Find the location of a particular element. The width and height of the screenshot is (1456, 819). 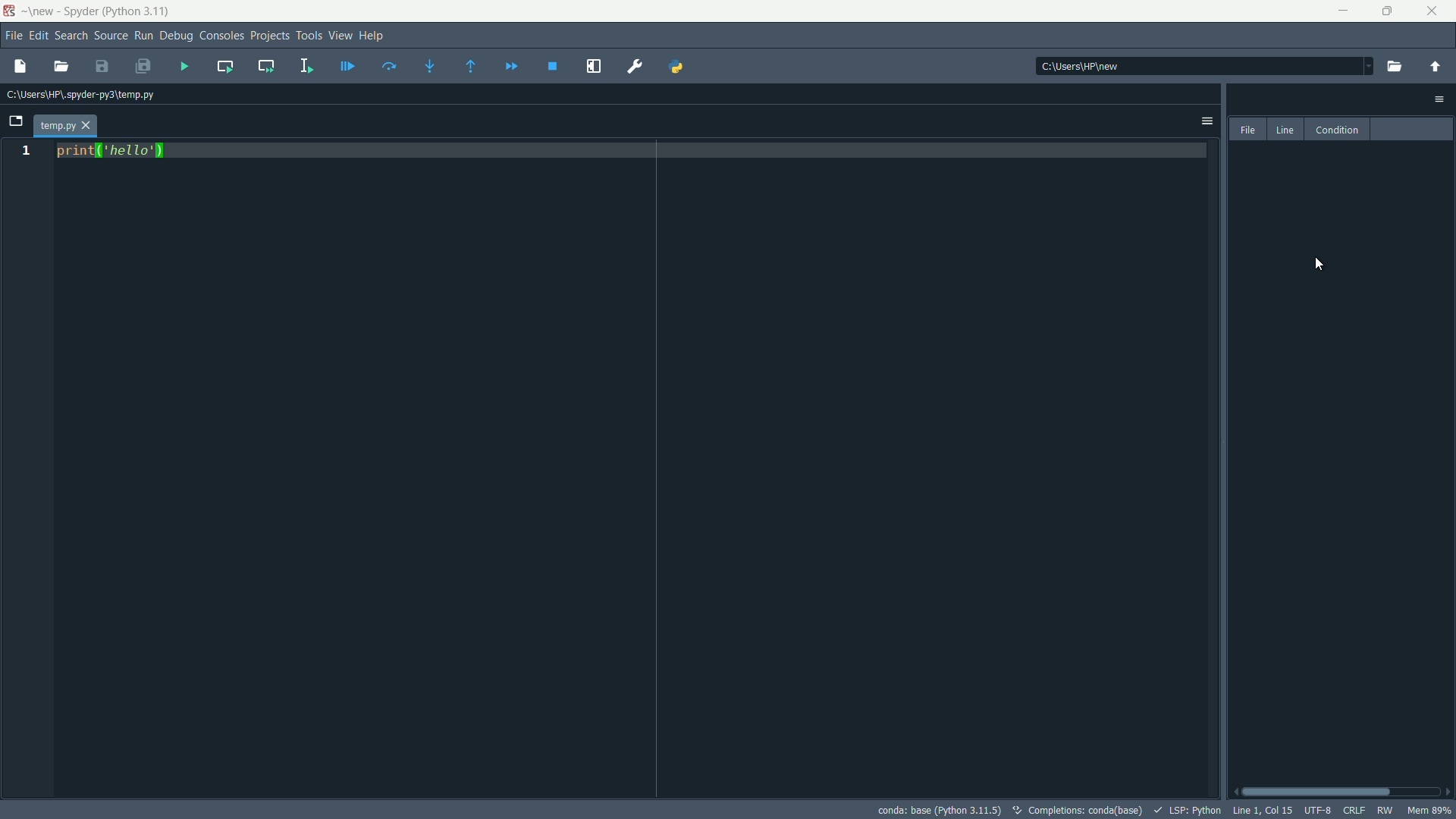

source menu is located at coordinates (111, 36).